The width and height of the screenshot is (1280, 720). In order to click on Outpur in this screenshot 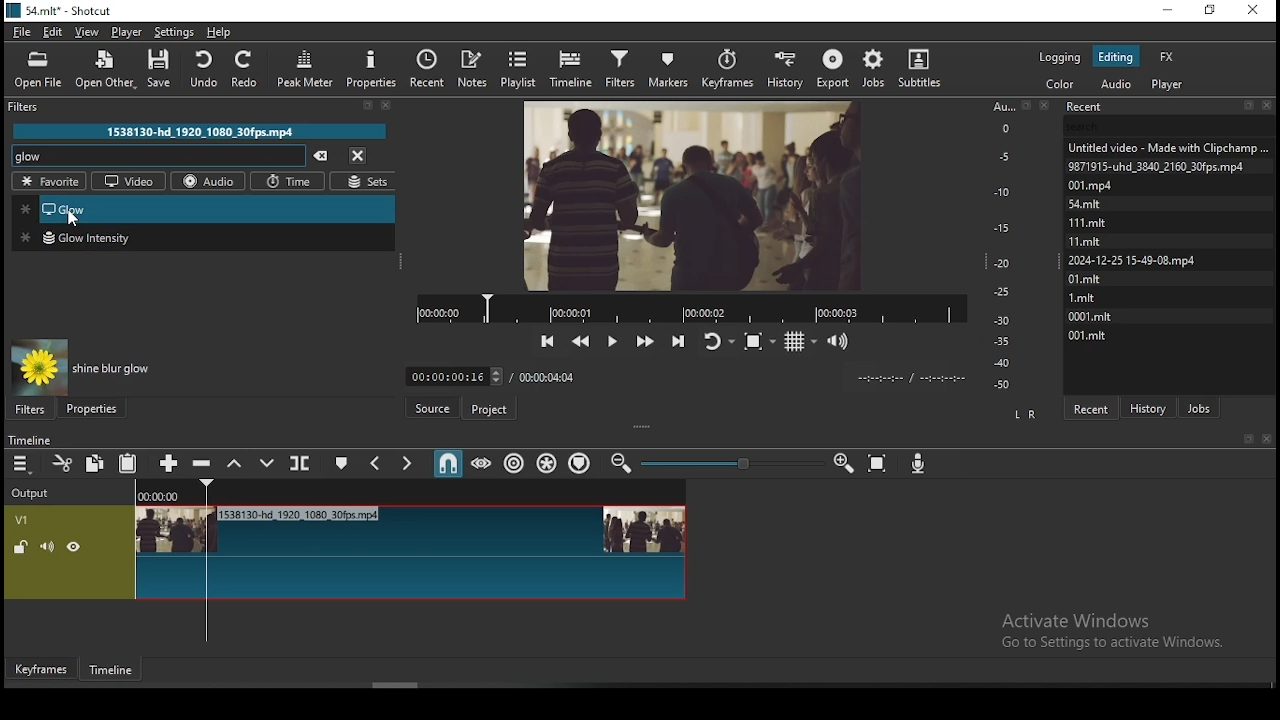, I will do `click(35, 493)`.